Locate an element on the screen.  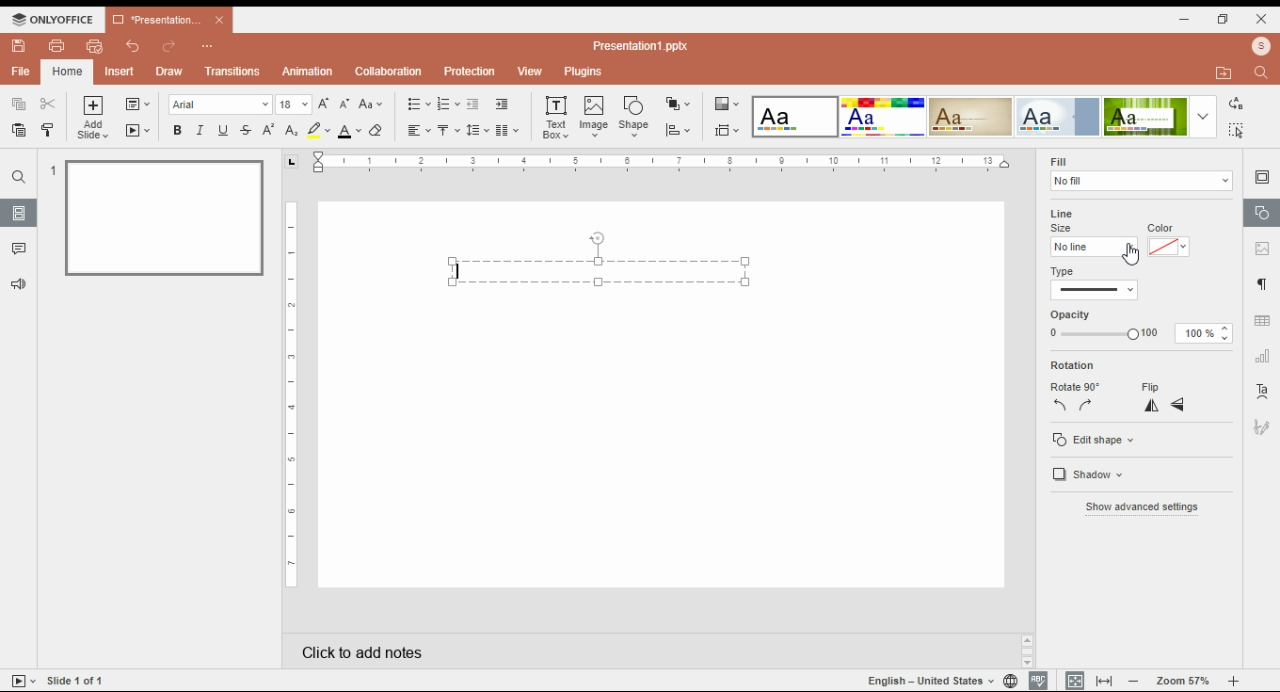
rotate 90 counterclockwise is located at coordinates (1061, 404).